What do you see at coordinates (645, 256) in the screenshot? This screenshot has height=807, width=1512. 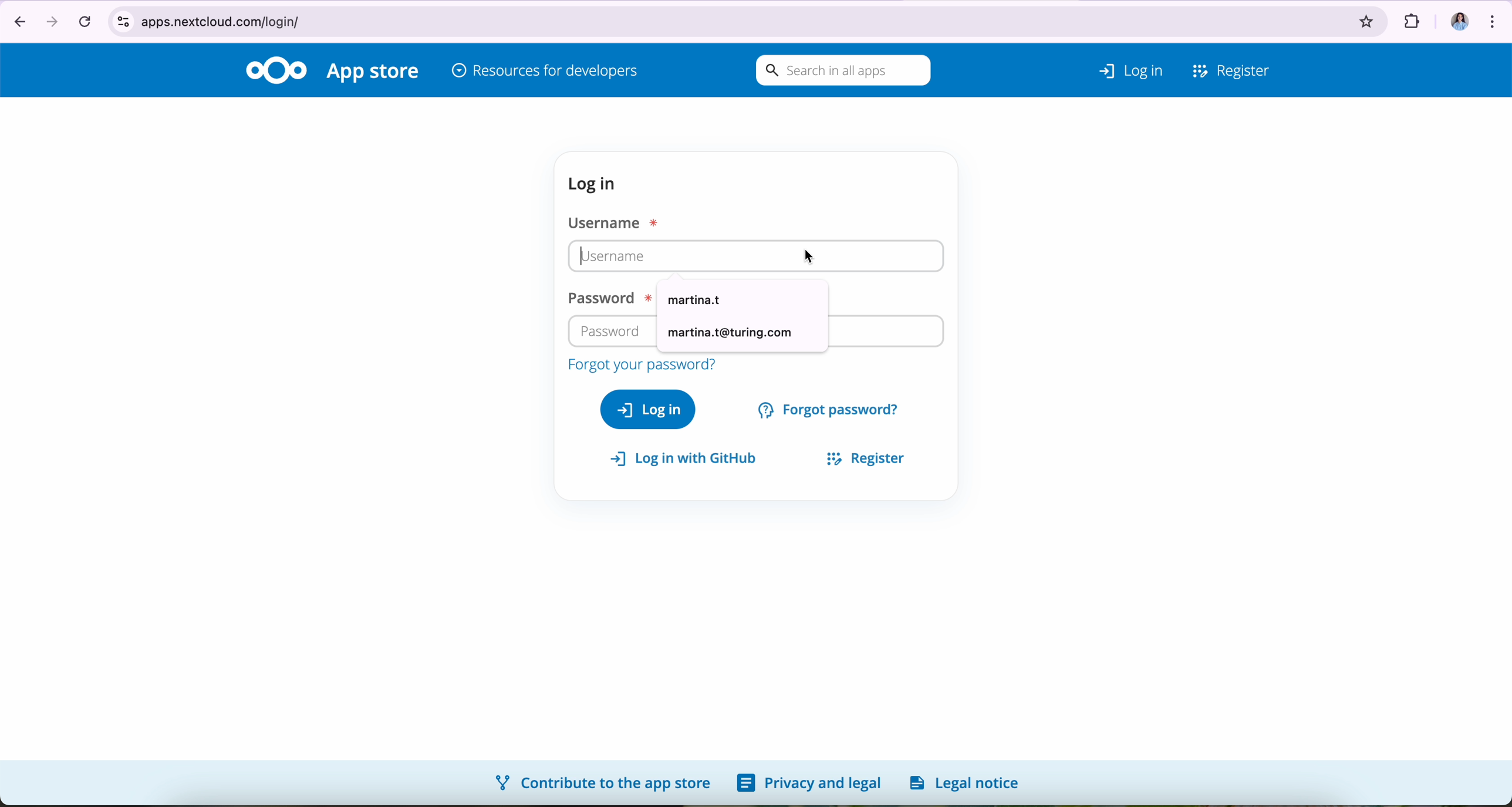 I see `username` at bounding box center [645, 256].